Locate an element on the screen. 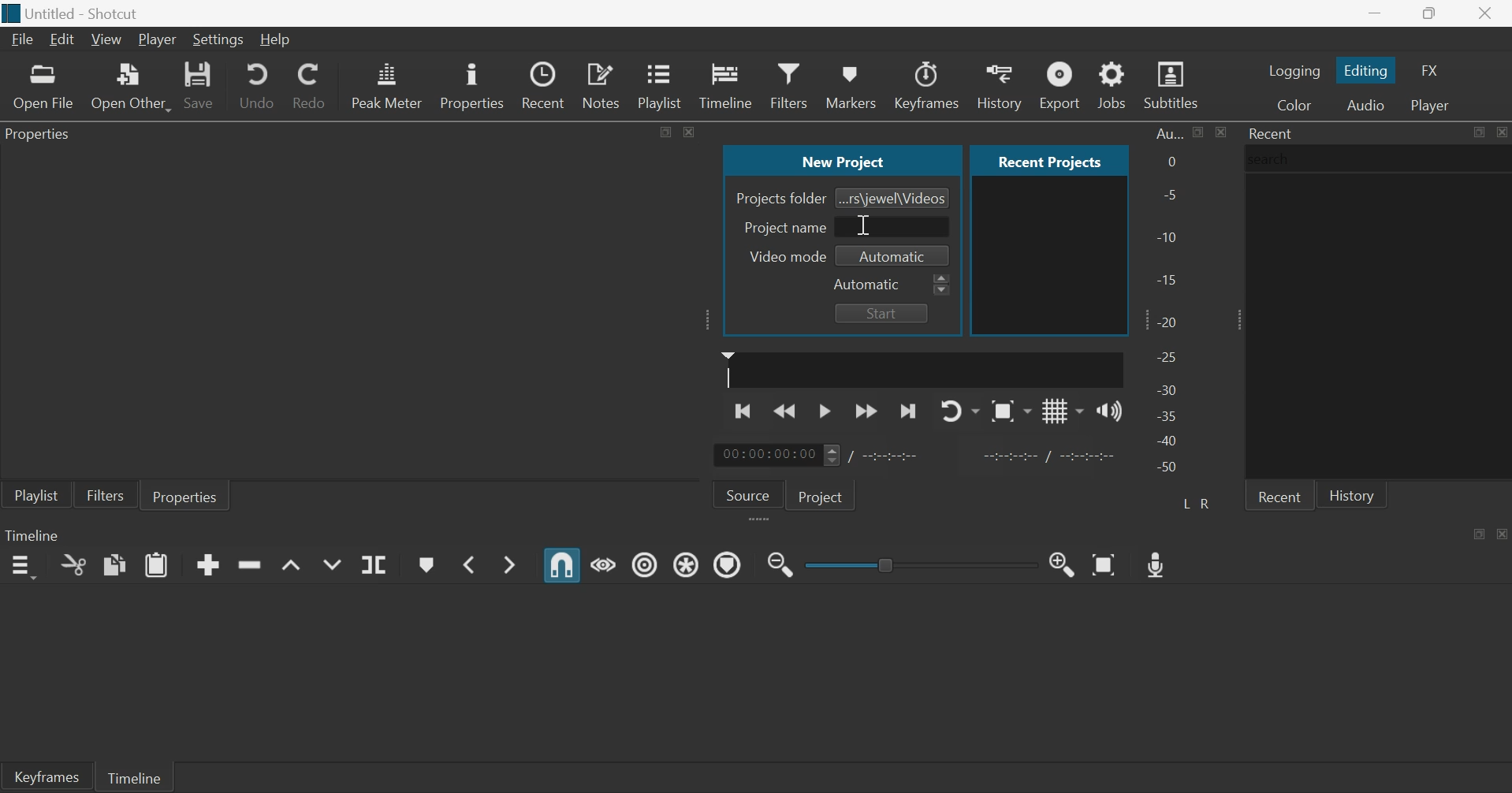 The width and height of the screenshot is (1512, 793). Subtitles is located at coordinates (1173, 85).